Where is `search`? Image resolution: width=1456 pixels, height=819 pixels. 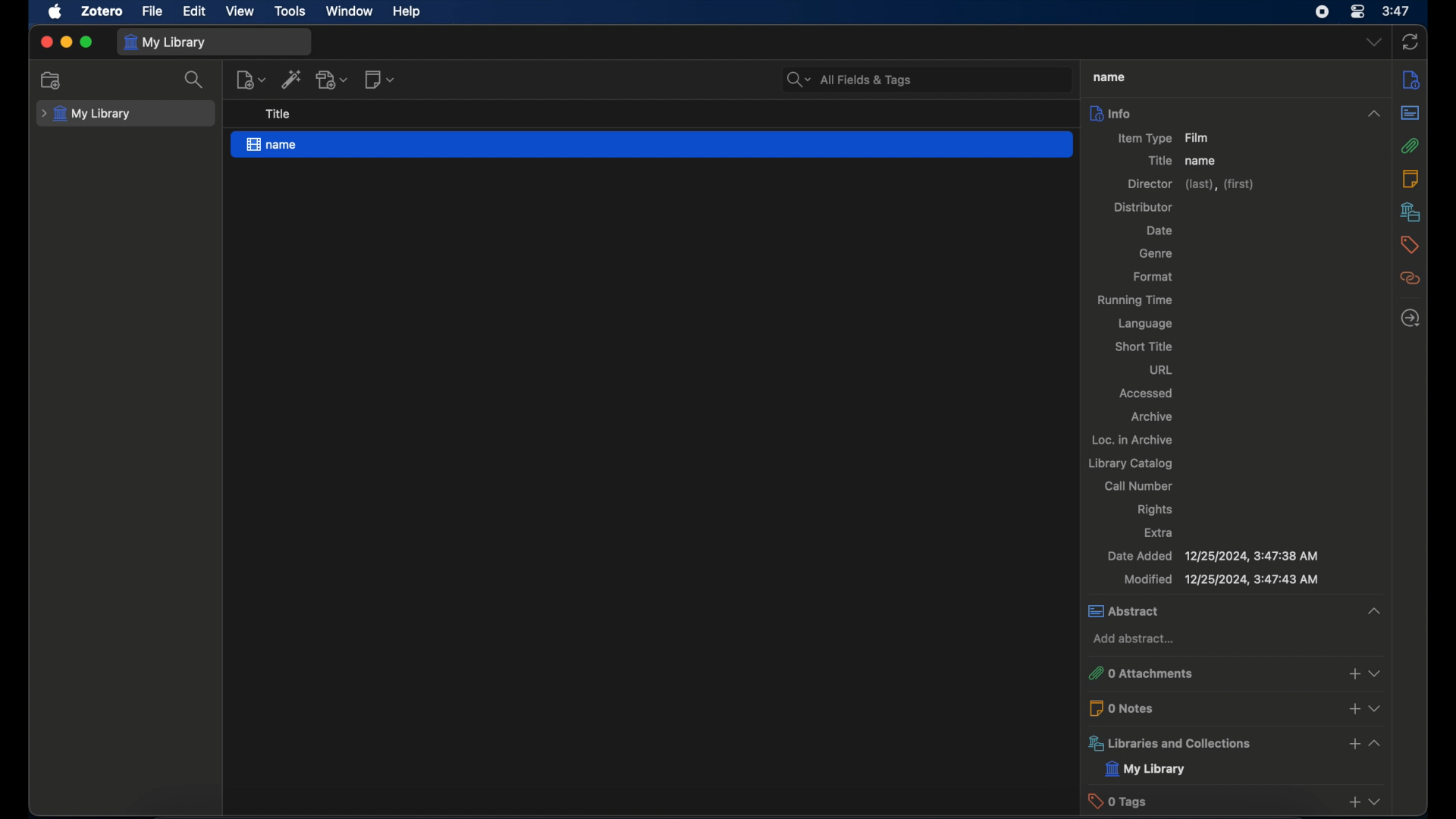 search is located at coordinates (197, 80).